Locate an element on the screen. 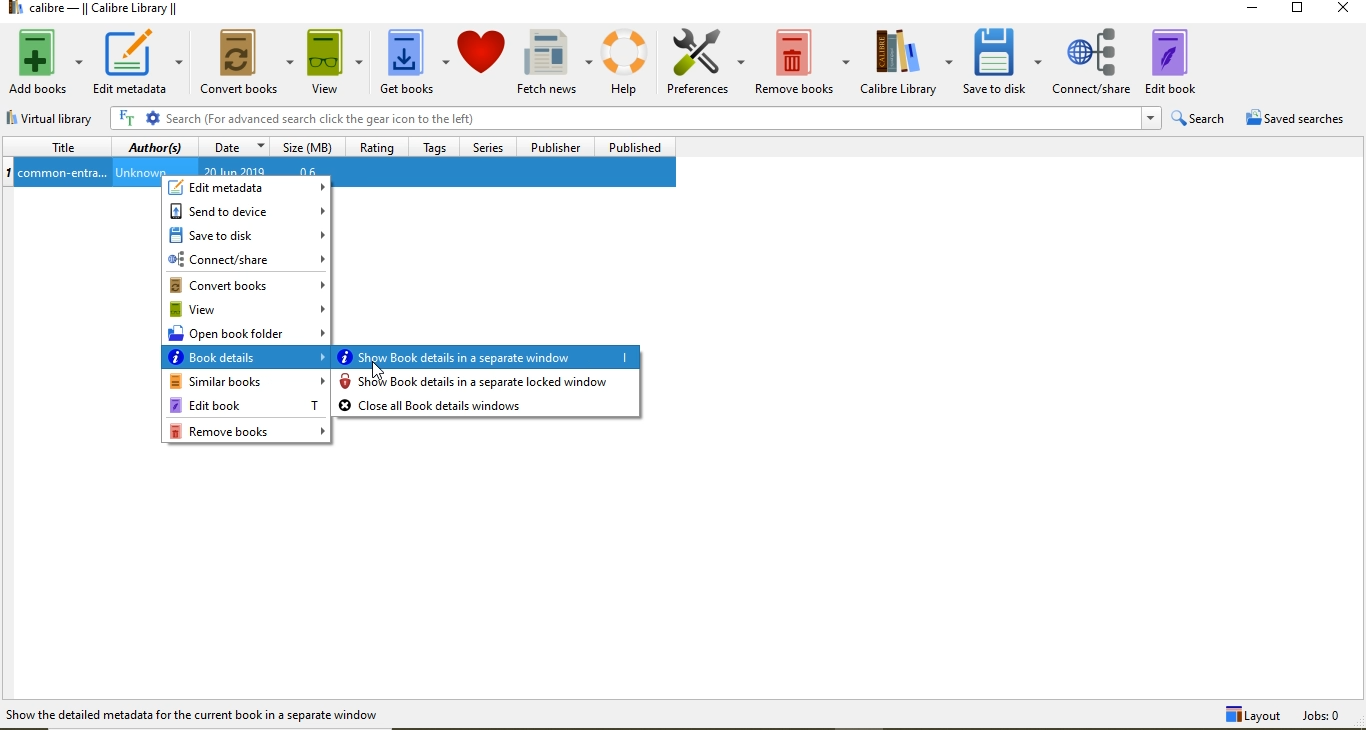 This screenshot has height=730, width=1366. saved searches is located at coordinates (1300, 118).